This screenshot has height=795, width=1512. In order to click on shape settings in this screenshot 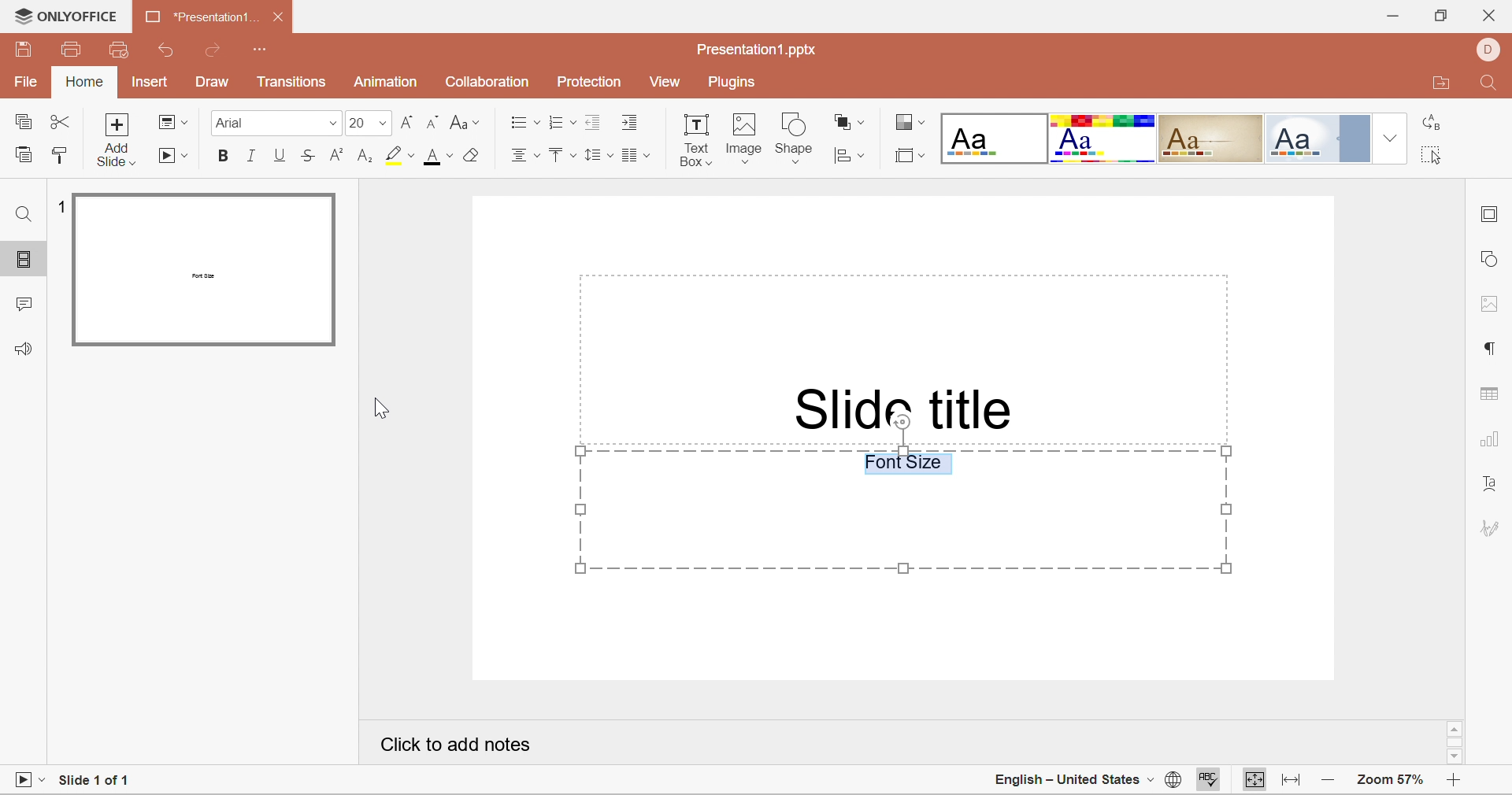, I will do `click(1492, 257)`.